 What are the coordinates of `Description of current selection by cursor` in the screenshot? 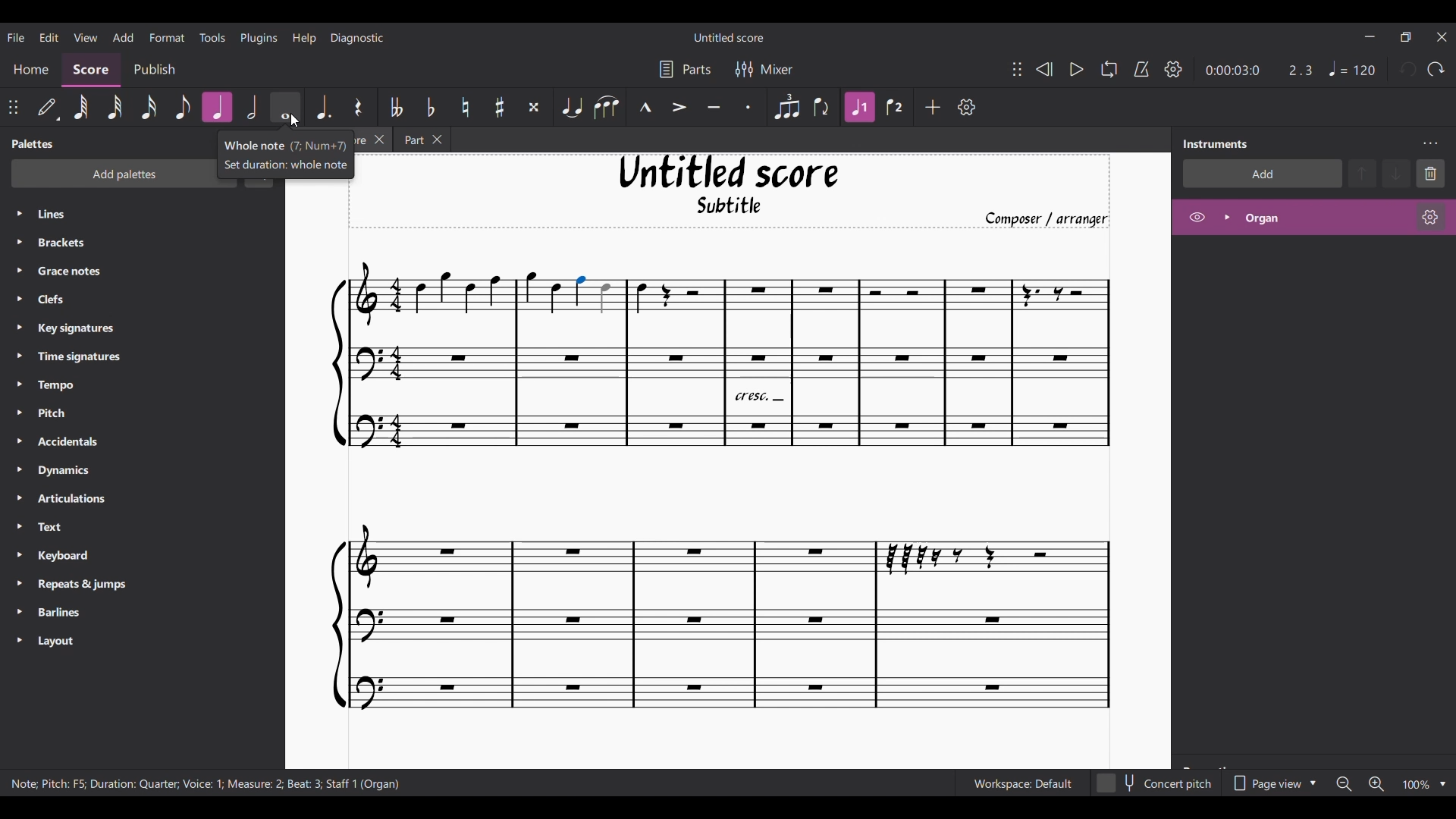 It's located at (290, 152).